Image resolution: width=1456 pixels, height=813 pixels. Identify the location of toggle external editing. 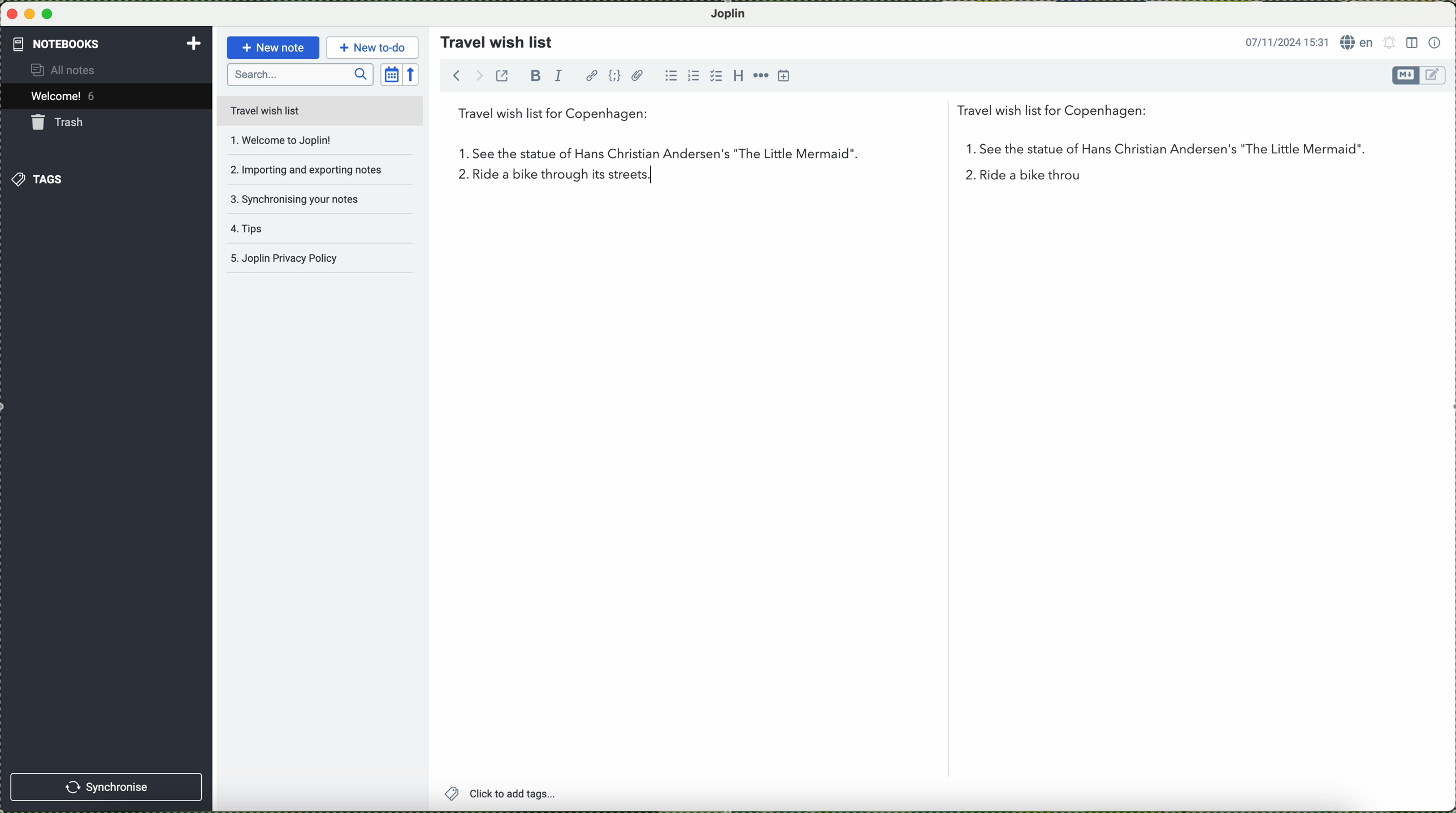
(505, 80).